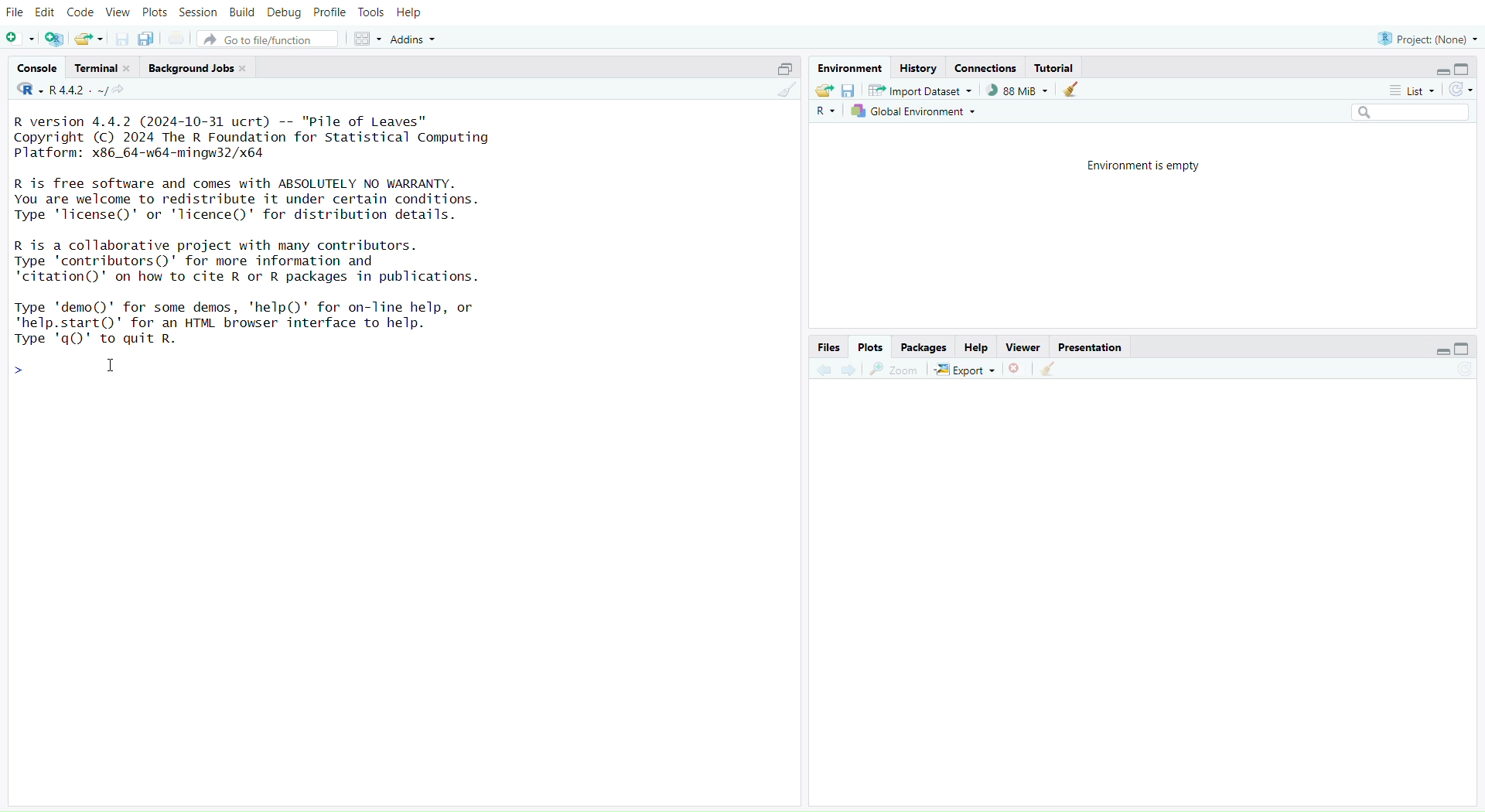 The height and width of the screenshot is (812, 1485). What do you see at coordinates (268, 40) in the screenshot?
I see `go to file/function` at bounding box center [268, 40].